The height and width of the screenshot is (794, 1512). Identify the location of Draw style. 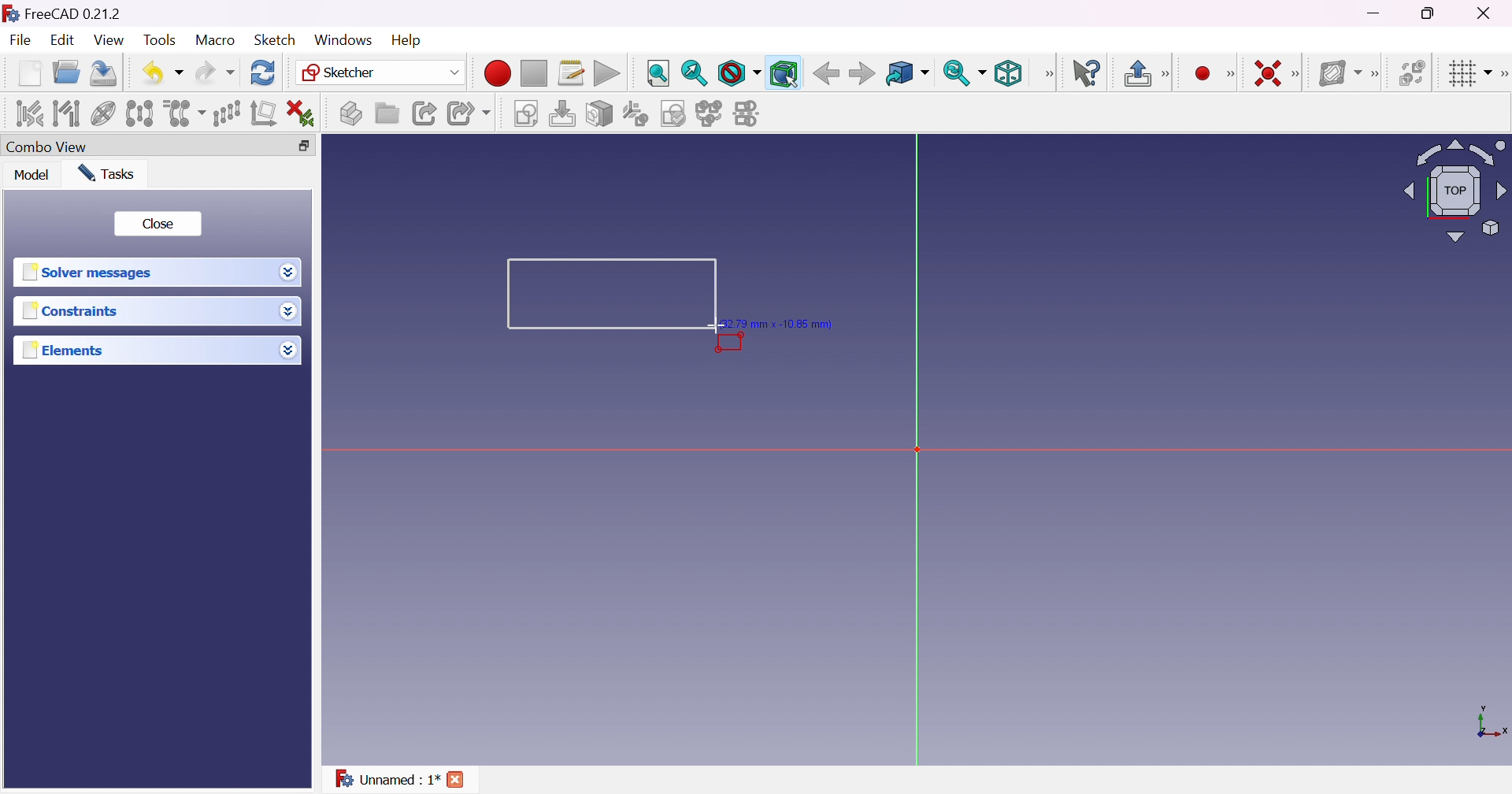
(738, 73).